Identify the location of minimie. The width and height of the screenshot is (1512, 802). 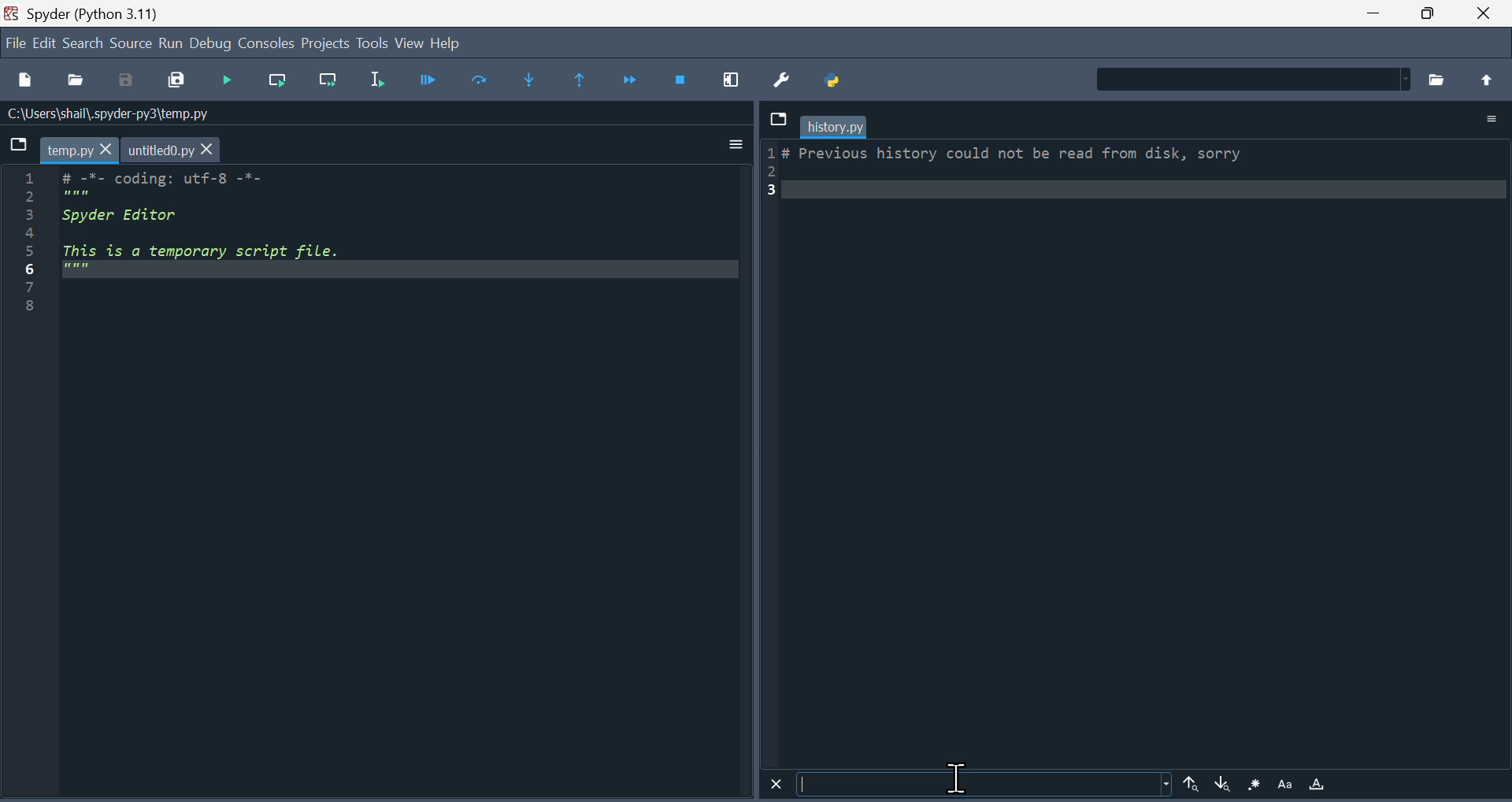
(1376, 12).